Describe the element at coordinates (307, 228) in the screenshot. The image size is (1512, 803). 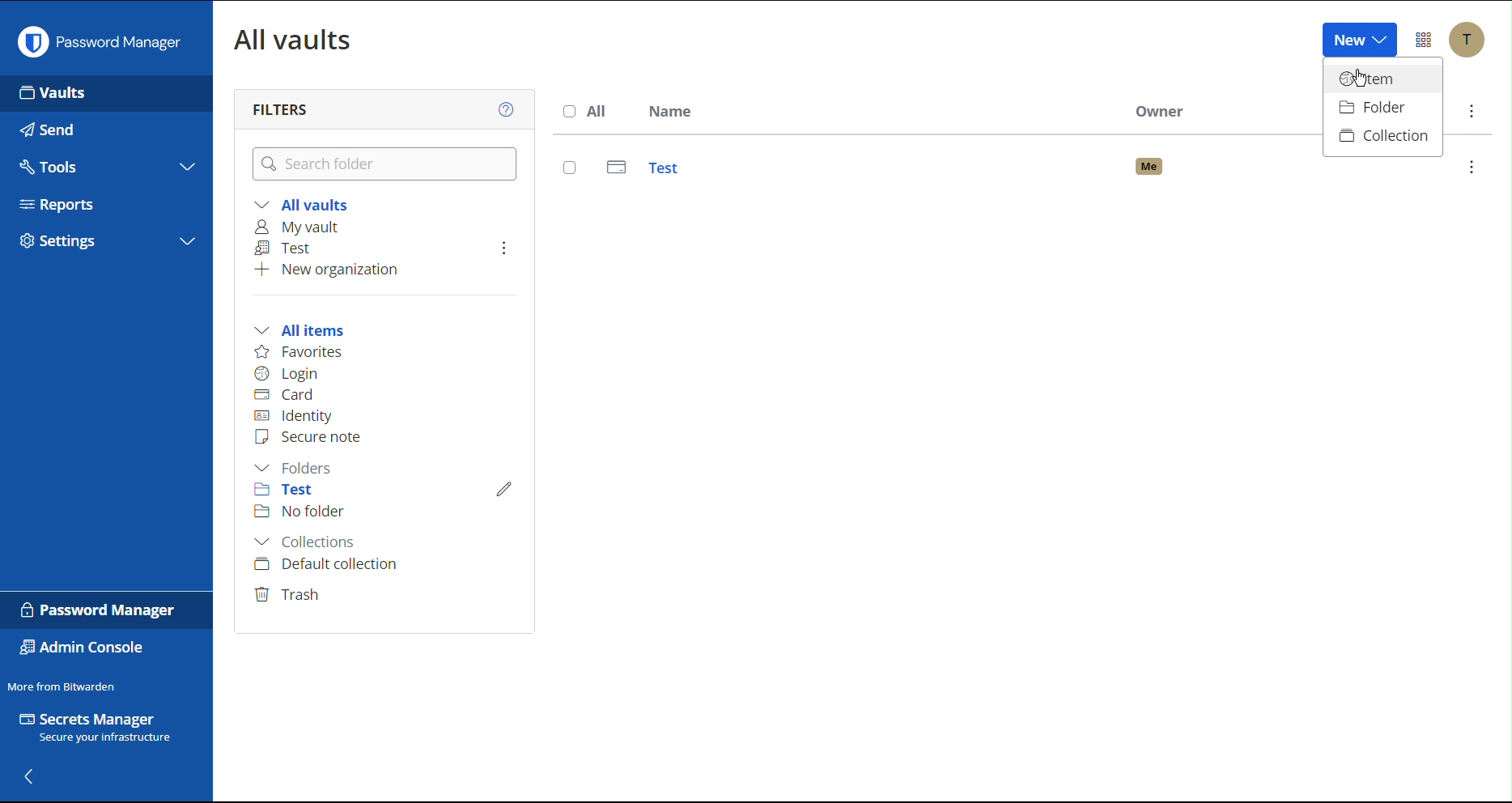
I see `My vault` at that location.